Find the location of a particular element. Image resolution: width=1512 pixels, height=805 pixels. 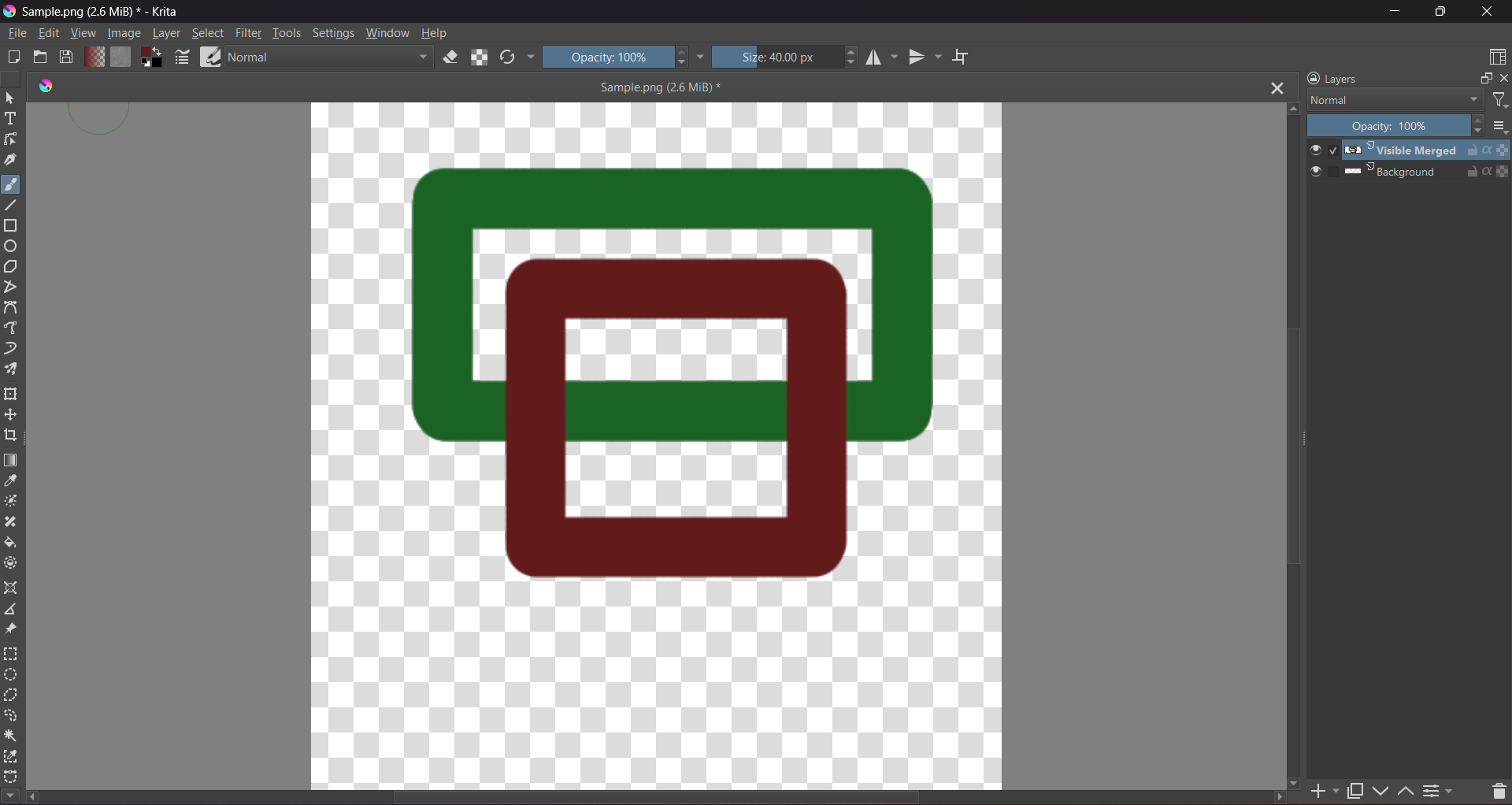

Image is located at coordinates (122, 34).